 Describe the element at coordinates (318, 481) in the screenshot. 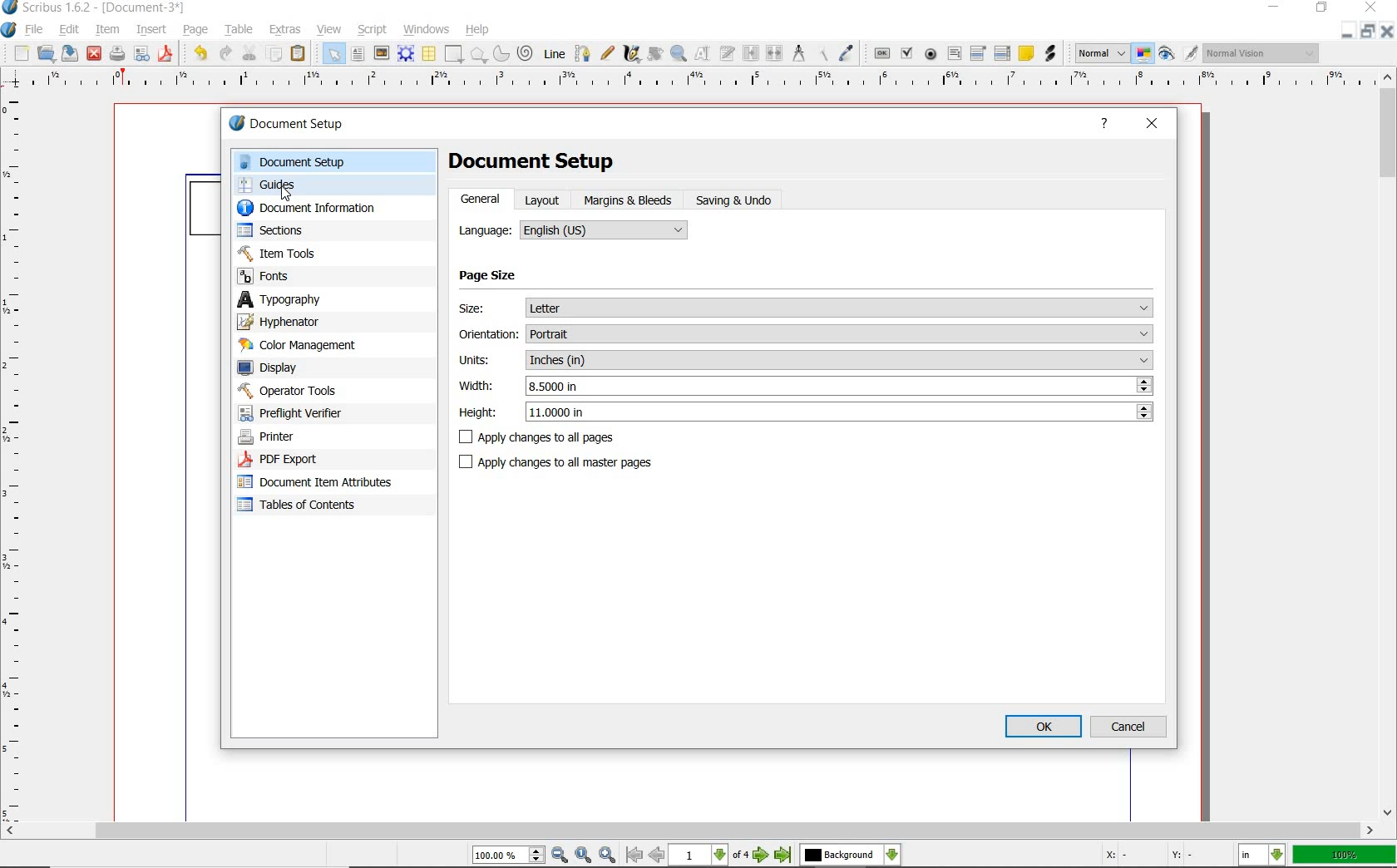

I see `document item attributes` at that location.